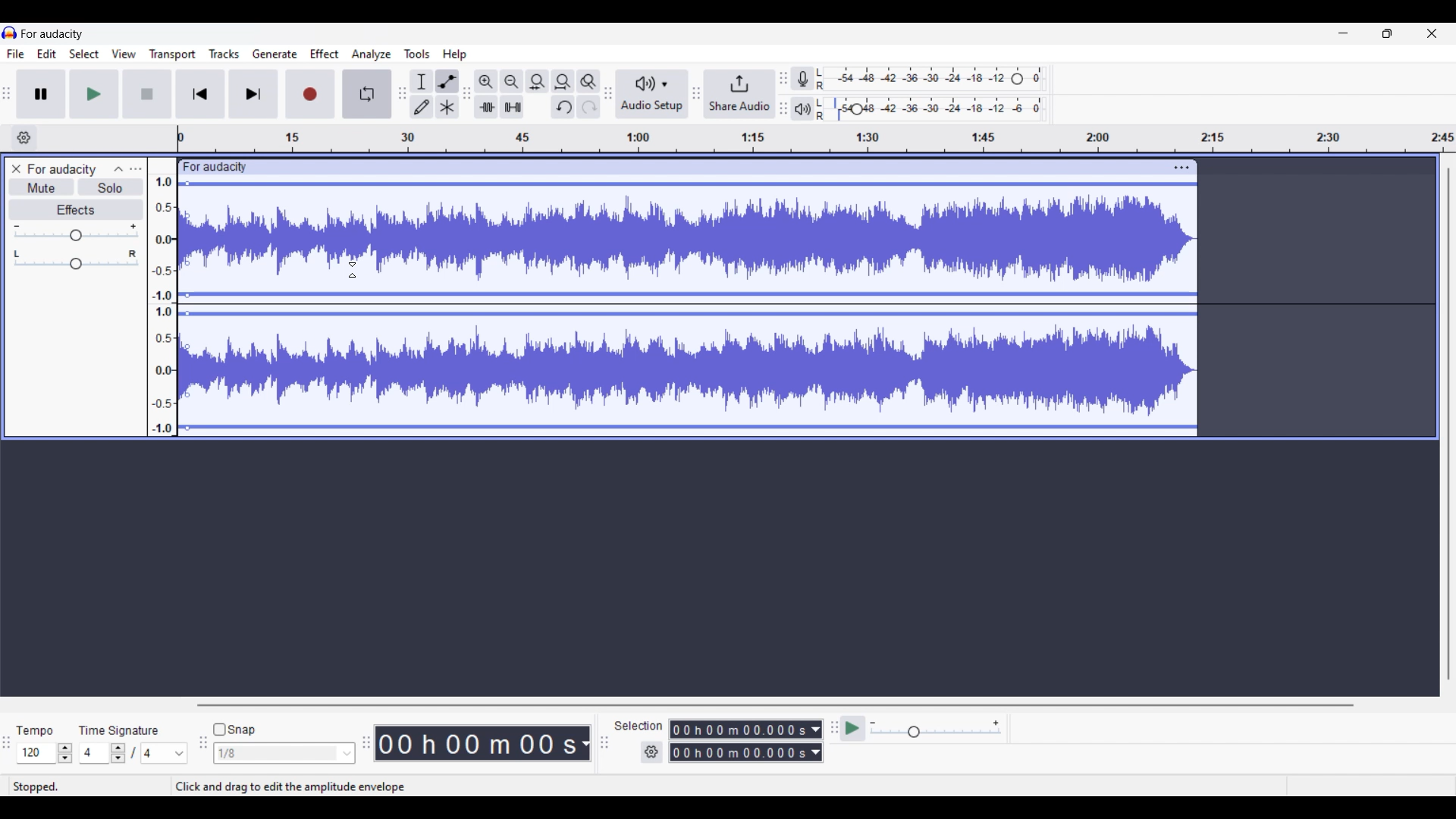  I want to click on Generate, so click(275, 54).